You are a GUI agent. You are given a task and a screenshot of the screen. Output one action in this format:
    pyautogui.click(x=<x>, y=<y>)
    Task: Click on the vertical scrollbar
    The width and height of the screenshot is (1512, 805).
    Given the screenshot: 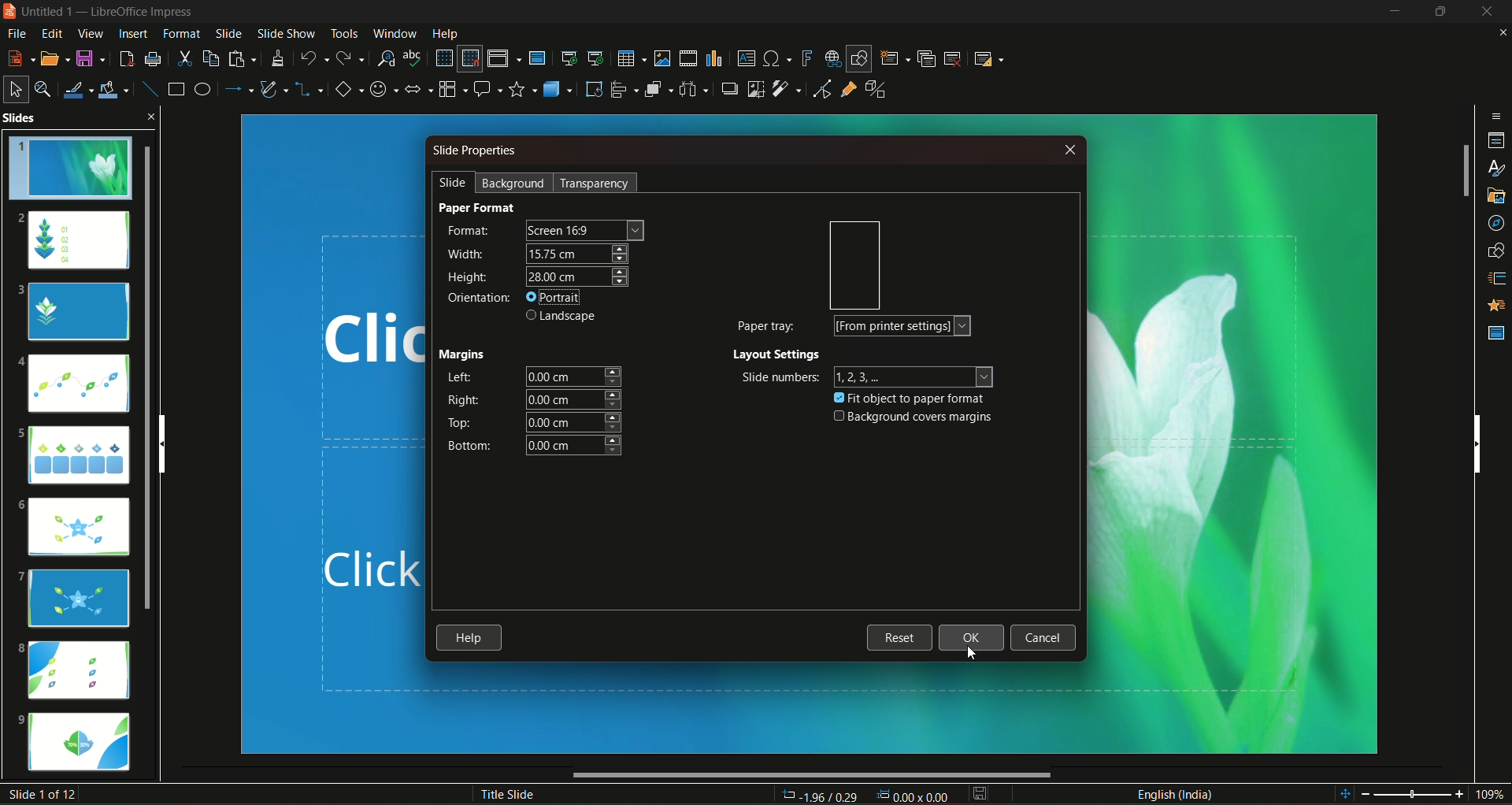 What is the action you would take?
    pyautogui.click(x=1477, y=442)
    